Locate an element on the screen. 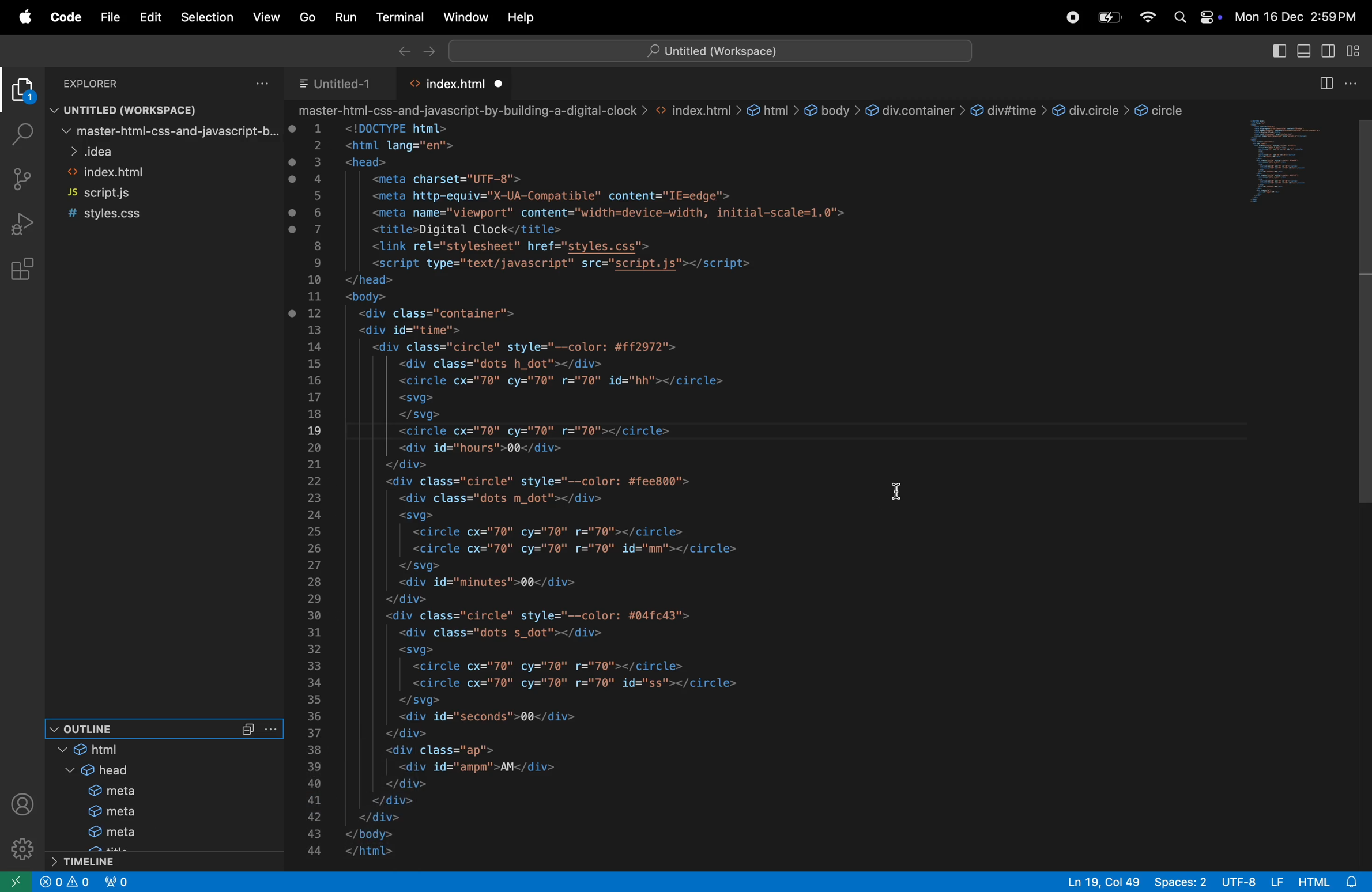 The width and height of the screenshot is (1372, 892). untitled 1 is located at coordinates (337, 82).